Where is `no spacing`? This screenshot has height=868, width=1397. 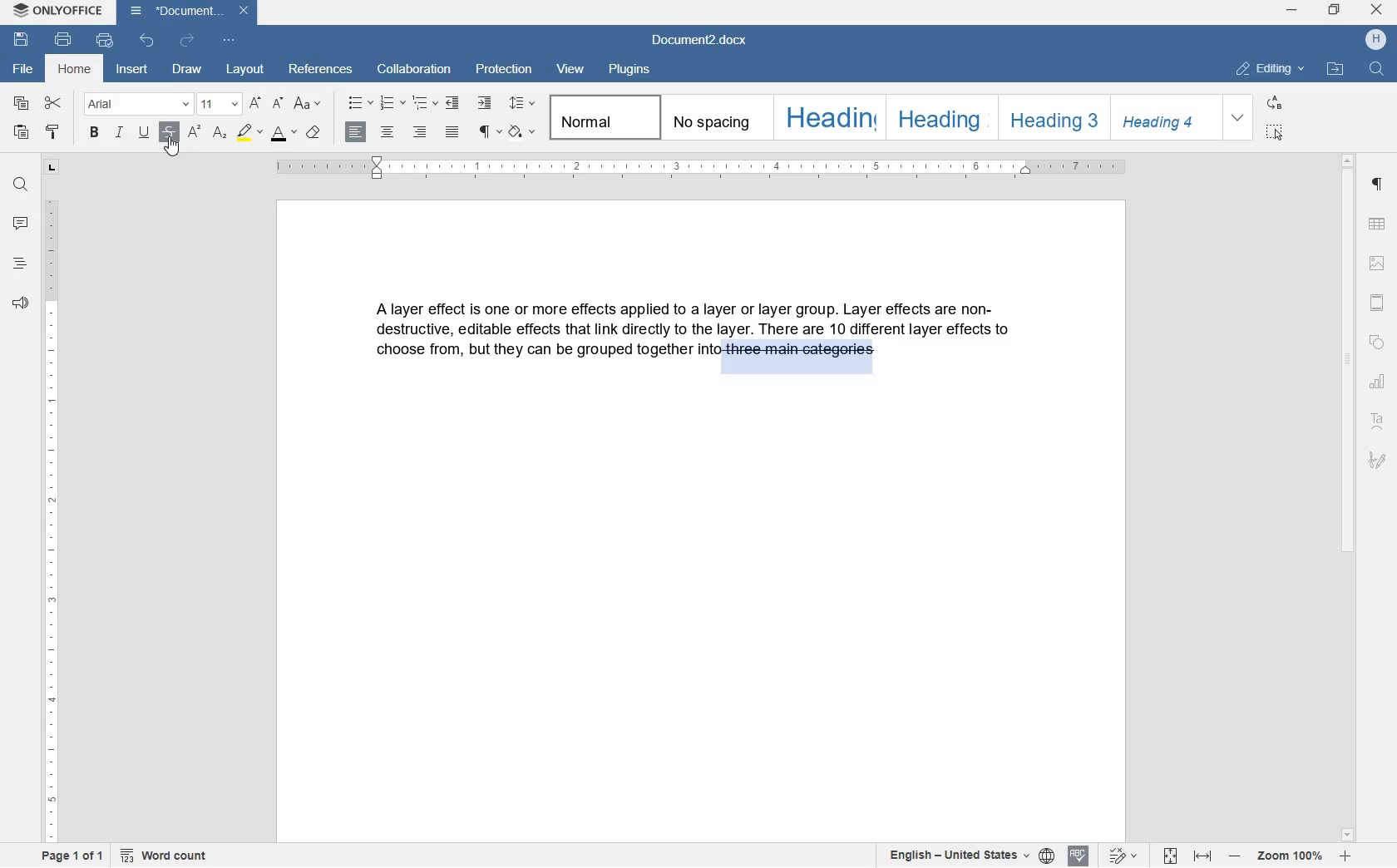 no spacing is located at coordinates (713, 116).